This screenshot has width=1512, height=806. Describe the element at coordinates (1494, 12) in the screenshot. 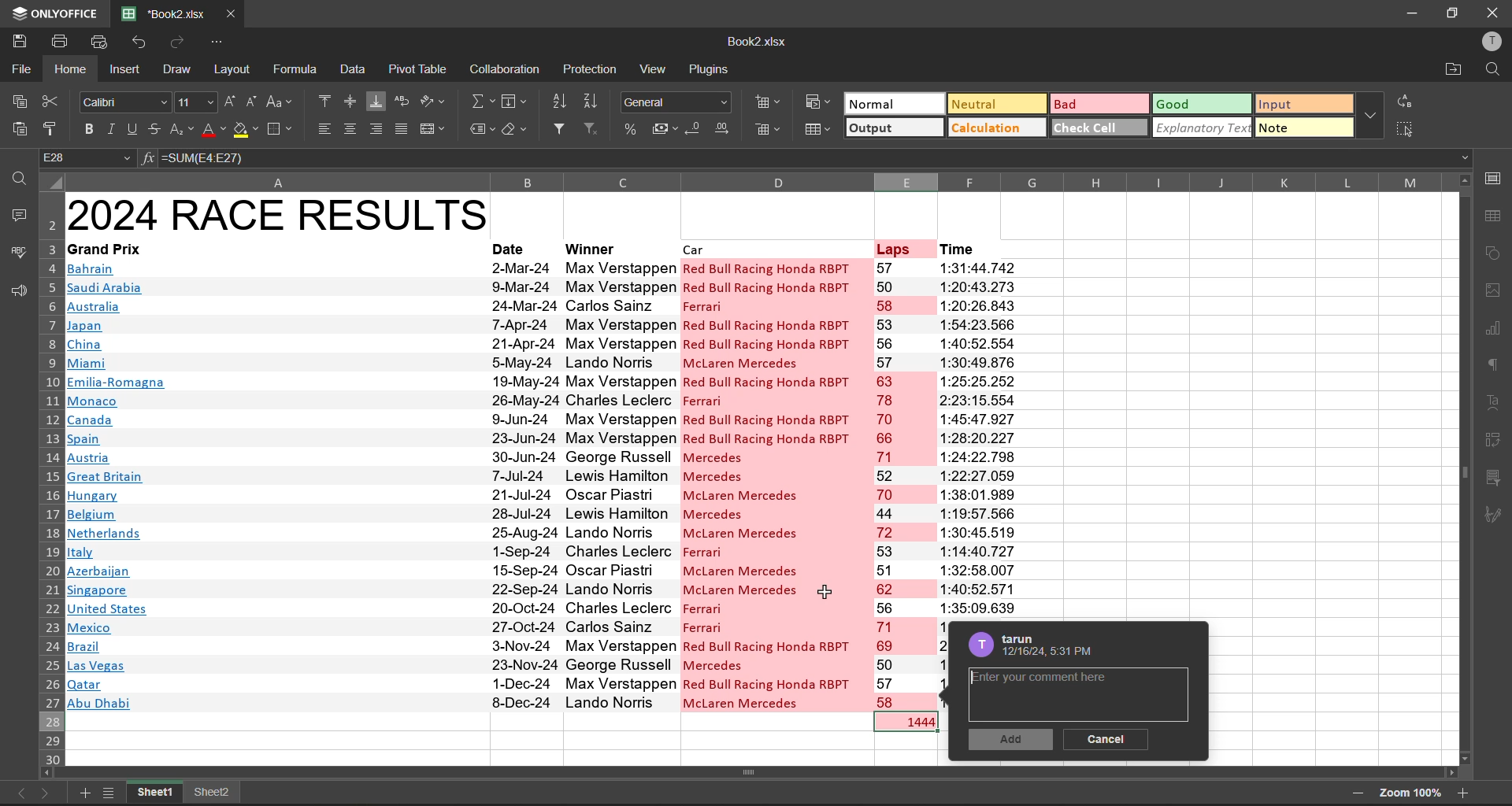

I see `close` at that location.